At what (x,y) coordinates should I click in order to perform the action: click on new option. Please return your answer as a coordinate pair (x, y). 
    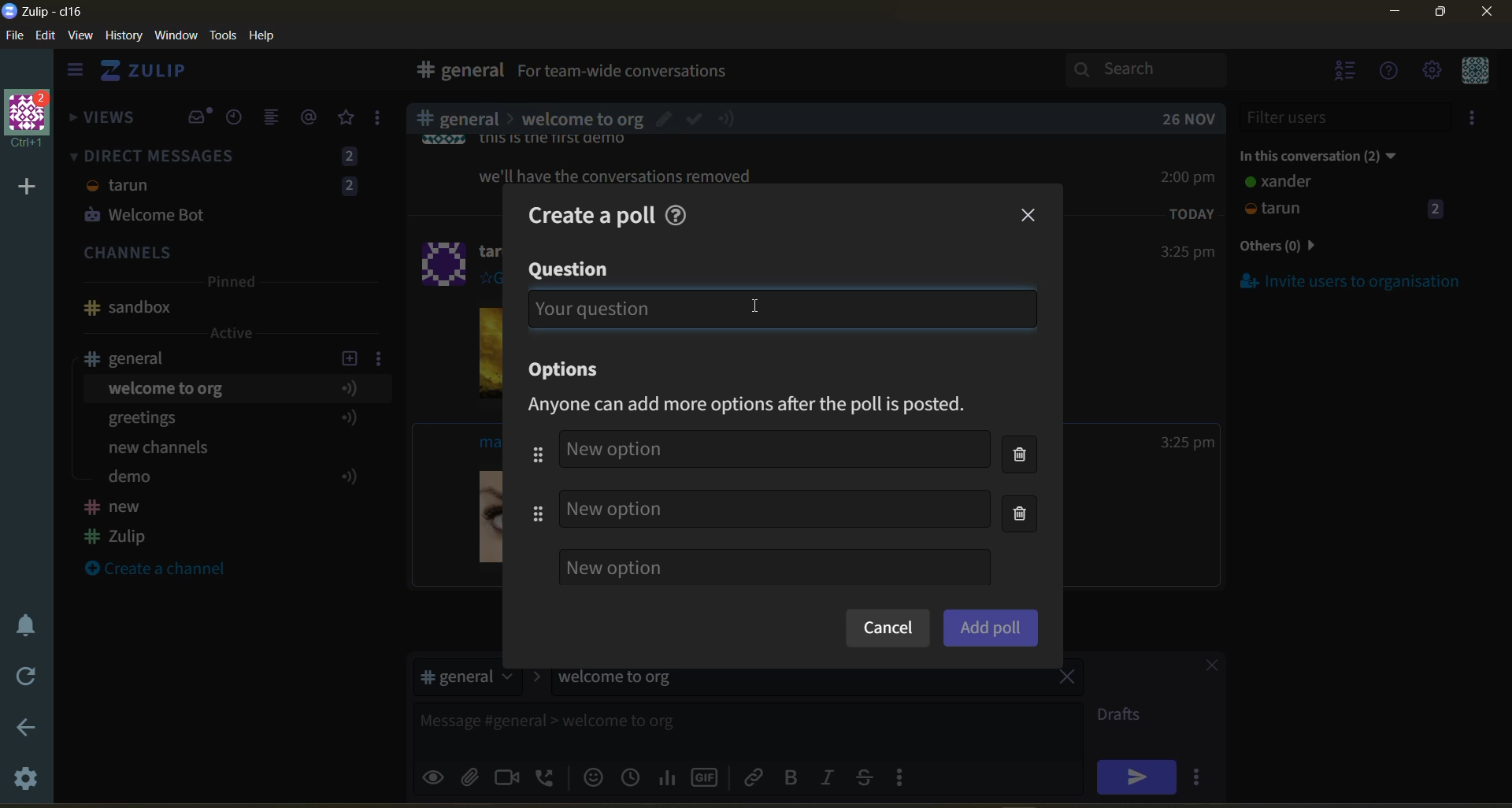
    Looking at the image, I should click on (774, 567).